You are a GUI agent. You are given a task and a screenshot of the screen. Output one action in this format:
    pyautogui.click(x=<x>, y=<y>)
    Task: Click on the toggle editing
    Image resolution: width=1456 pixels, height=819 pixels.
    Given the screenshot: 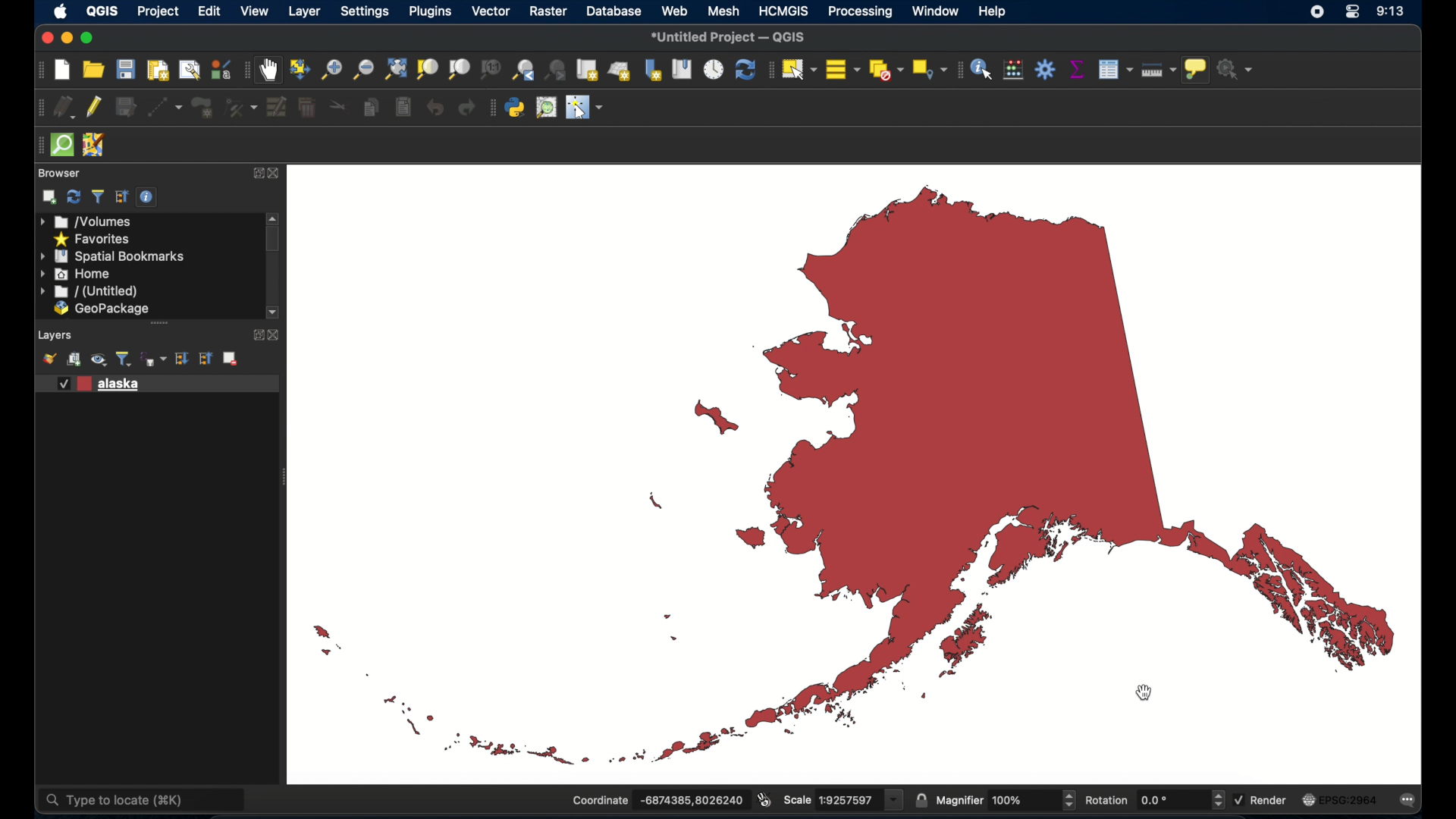 What is the action you would take?
    pyautogui.click(x=93, y=105)
    